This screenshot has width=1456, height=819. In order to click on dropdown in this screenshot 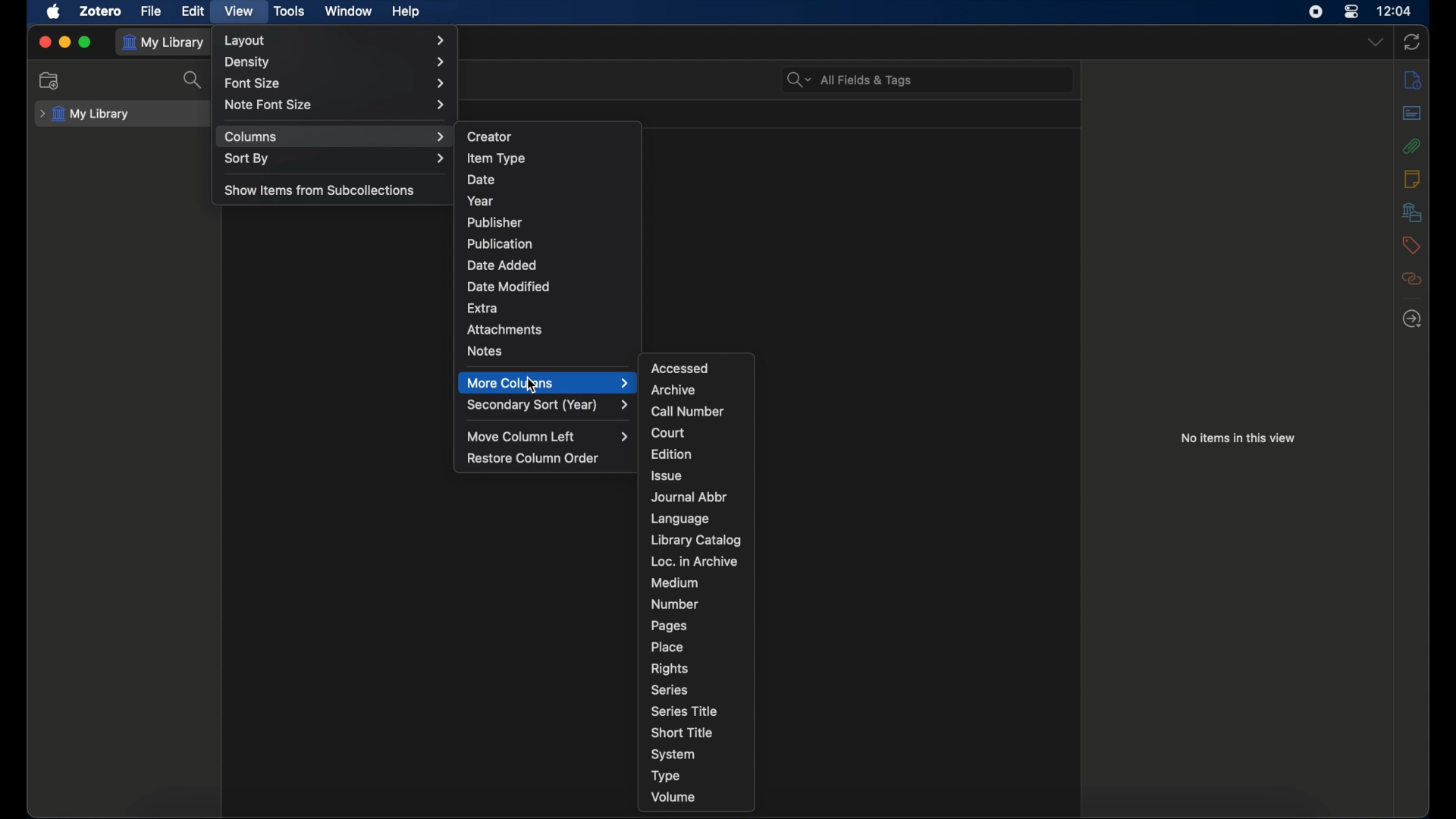, I will do `click(1377, 41)`.